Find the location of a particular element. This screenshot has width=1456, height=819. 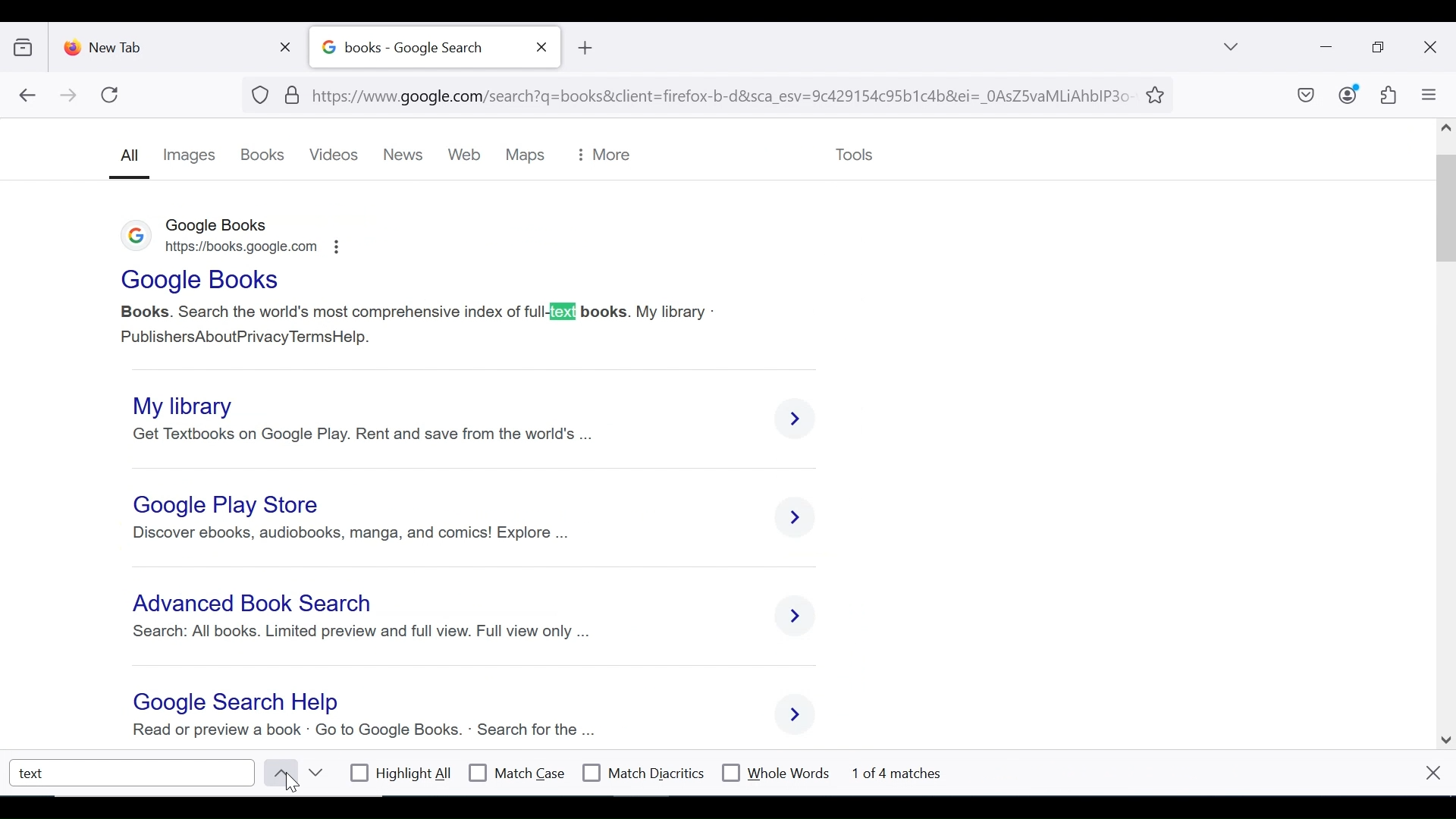

close tab is located at coordinates (289, 44).